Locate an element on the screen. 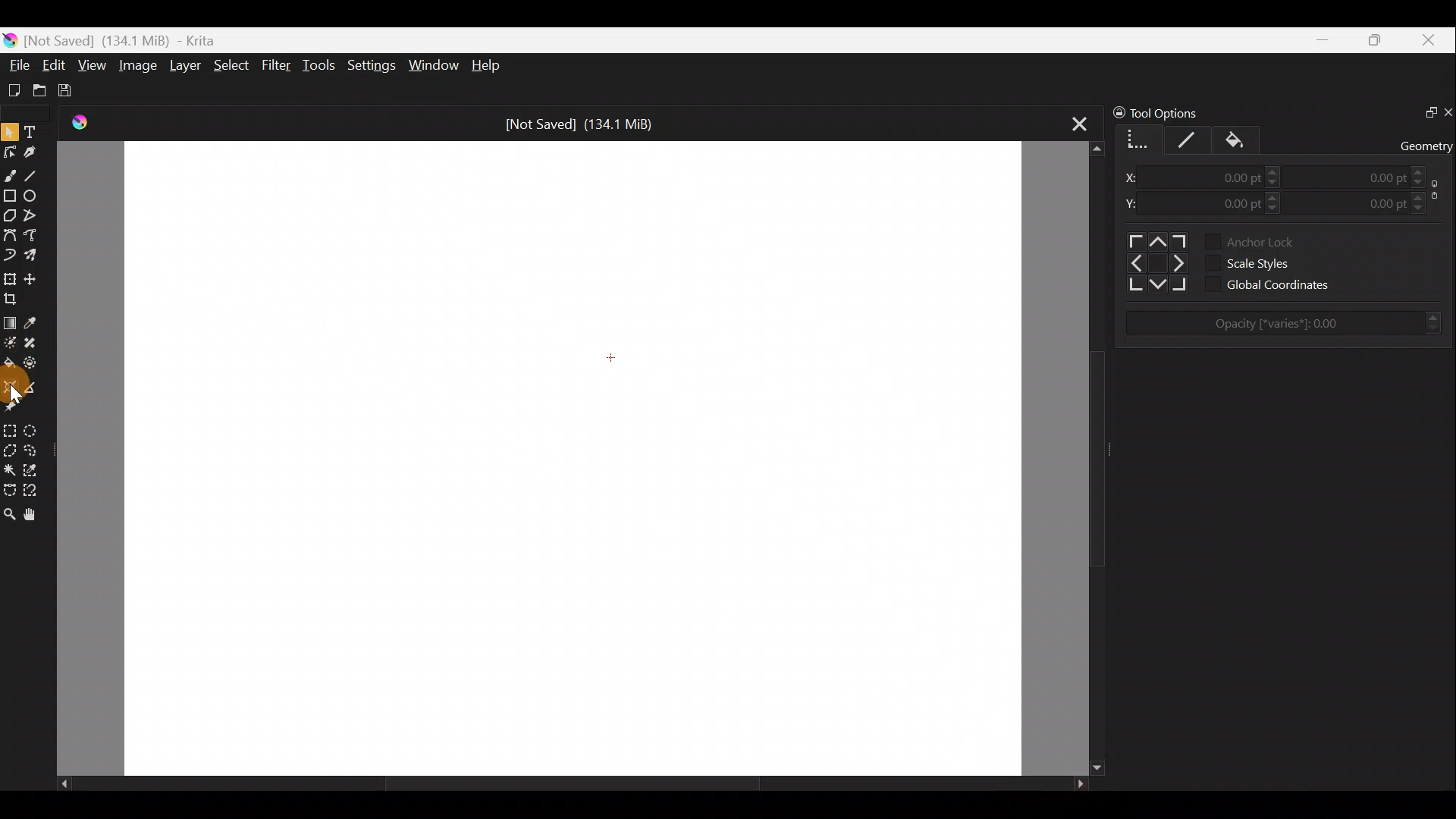  Increase is located at coordinates (1420, 168).